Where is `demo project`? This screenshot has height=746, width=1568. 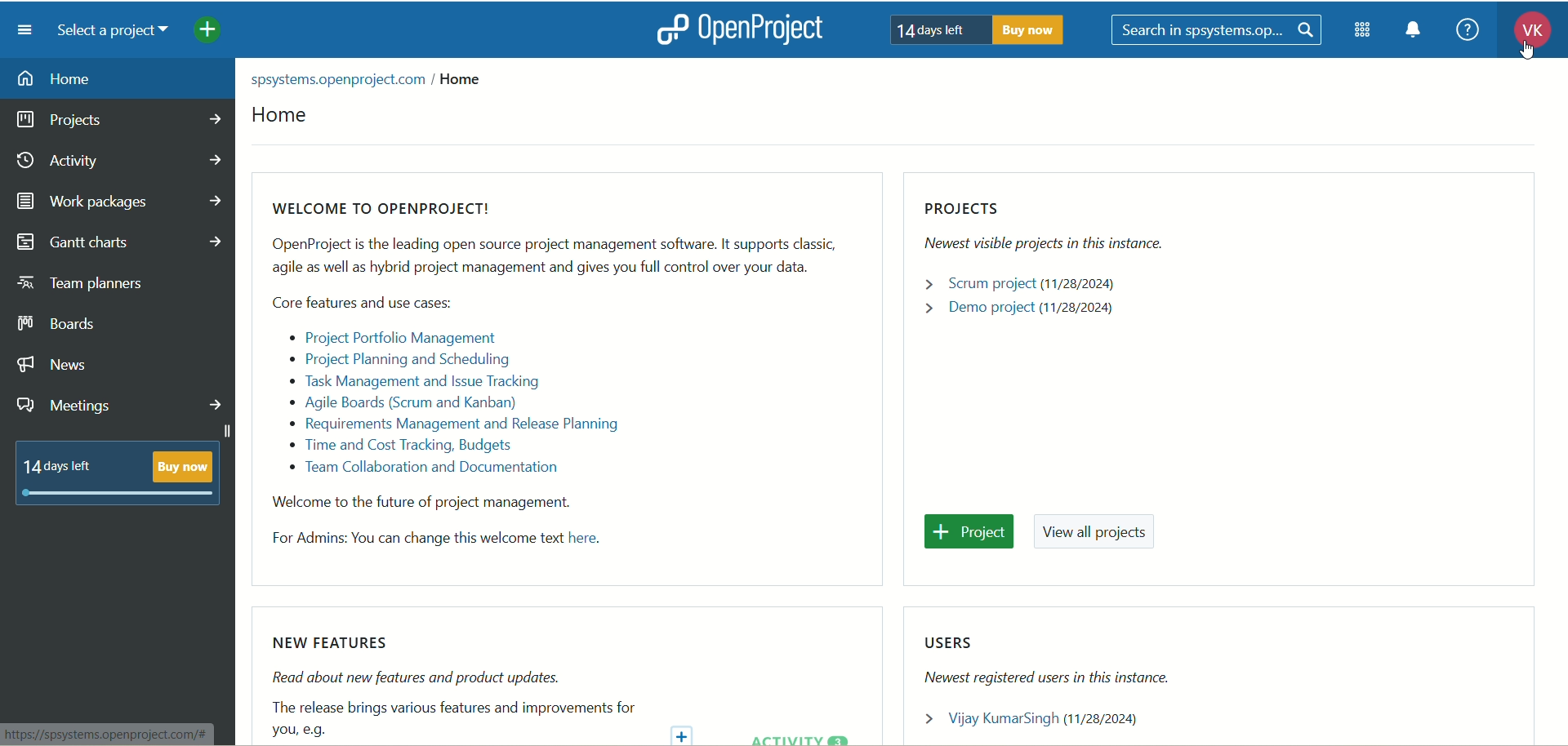
demo project is located at coordinates (1020, 313).